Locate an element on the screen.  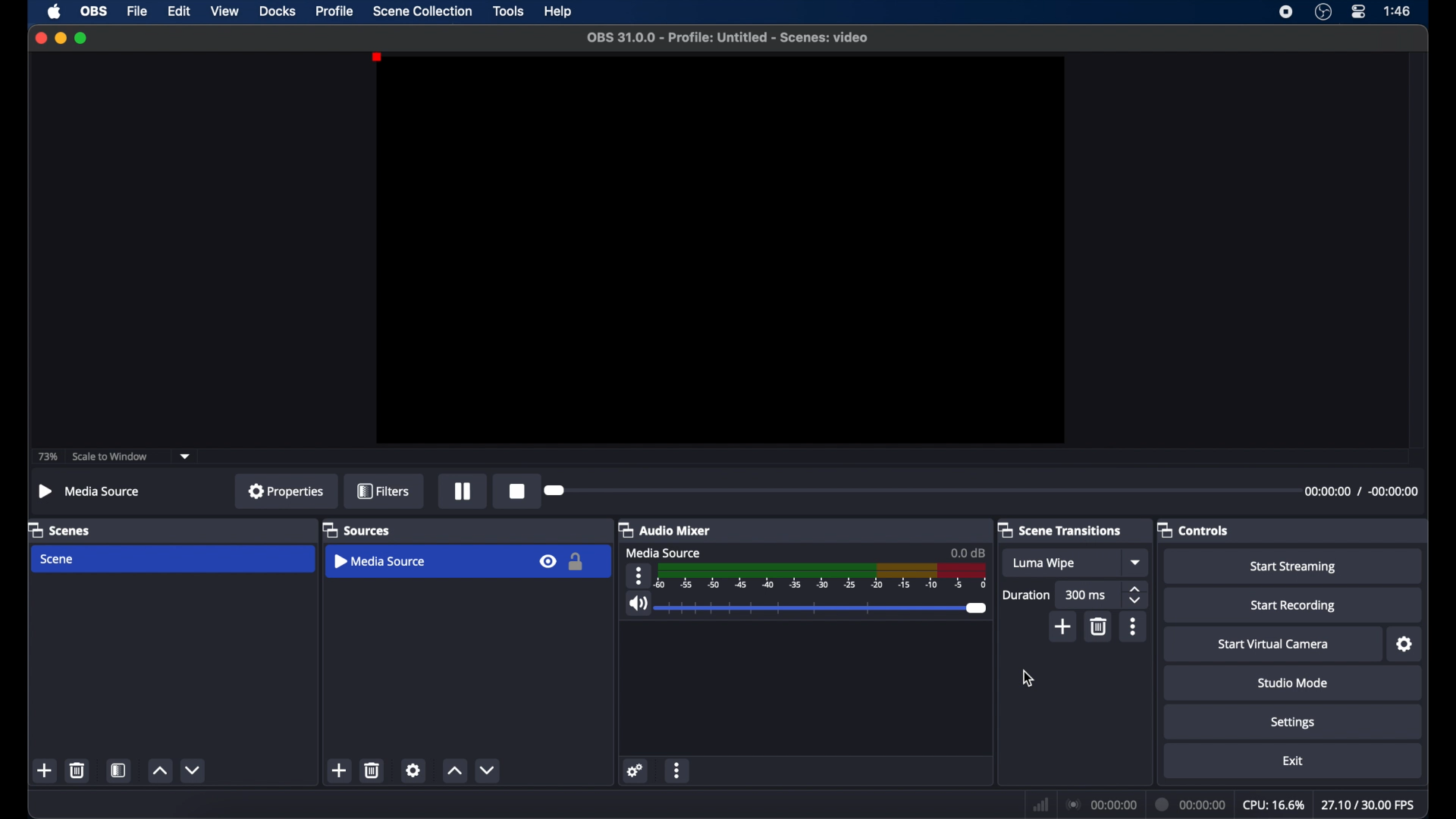
slider is located at coordinates (555, 491).